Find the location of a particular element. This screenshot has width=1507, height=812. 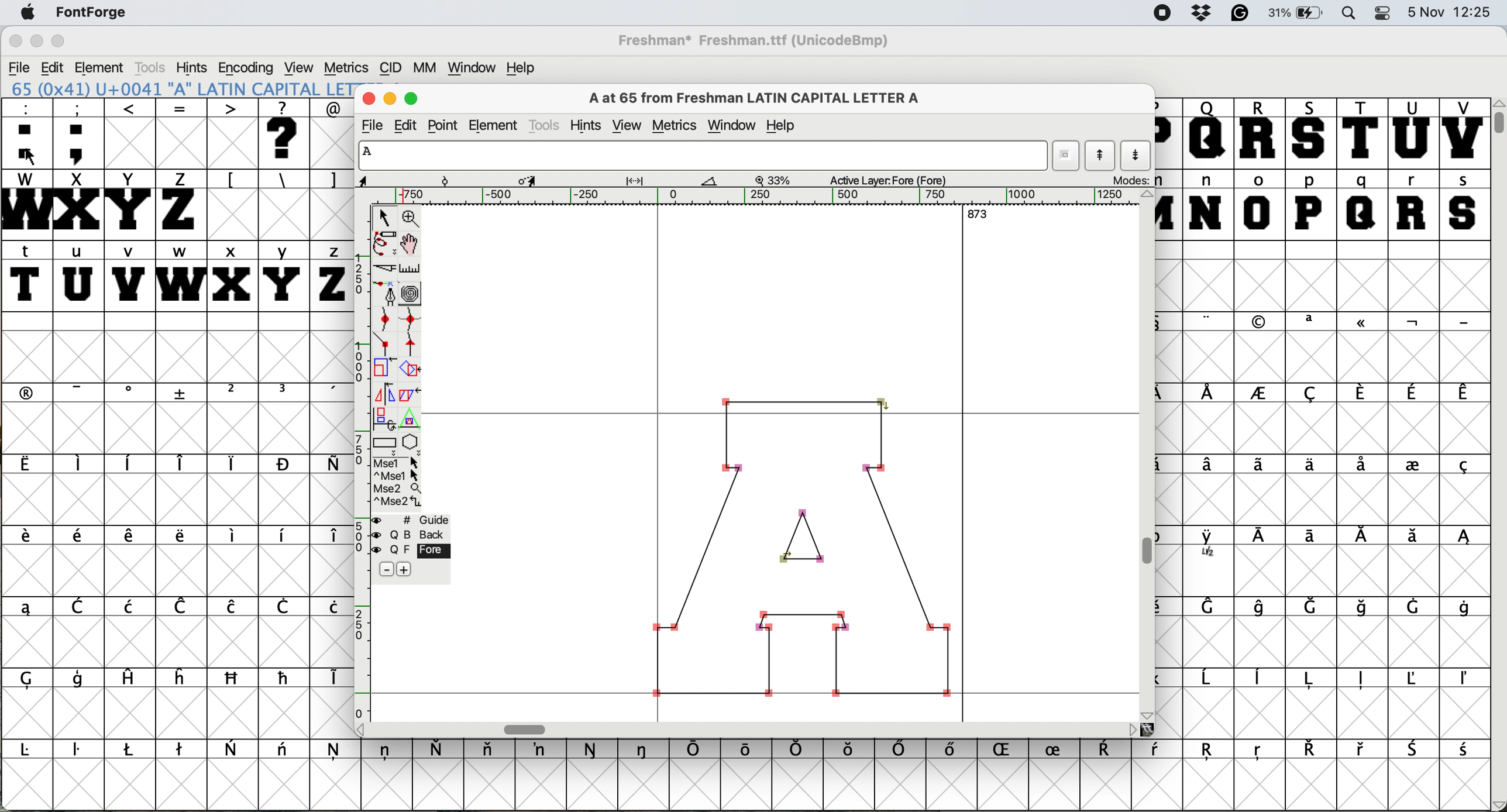

add a point and drag out it corners is located at coordinates (384, 293).